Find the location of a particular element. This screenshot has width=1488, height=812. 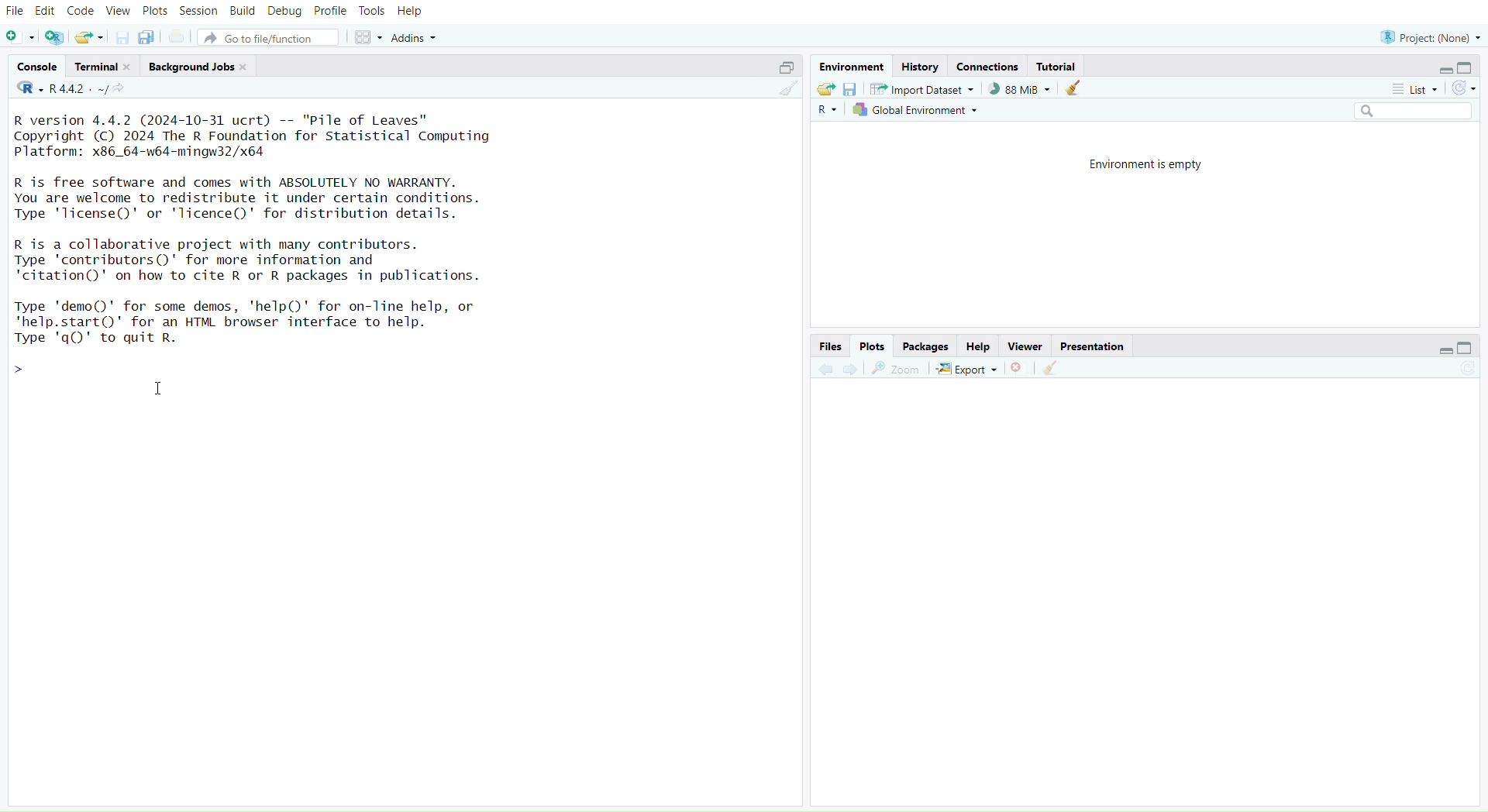

refresh all plot is located at coordinates (1459, 370).